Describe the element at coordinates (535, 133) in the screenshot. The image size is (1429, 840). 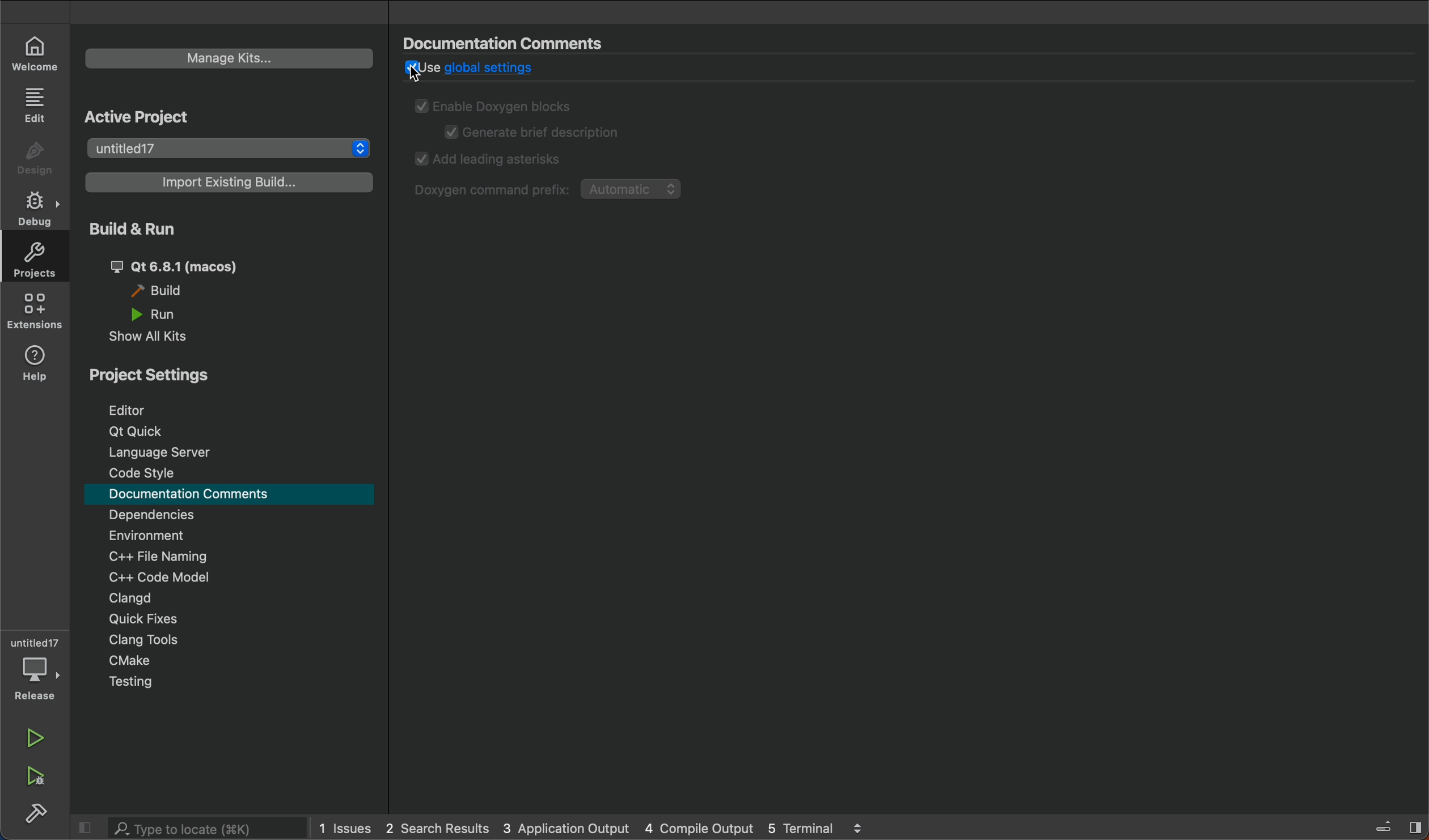
I see `generate description ` at that location.